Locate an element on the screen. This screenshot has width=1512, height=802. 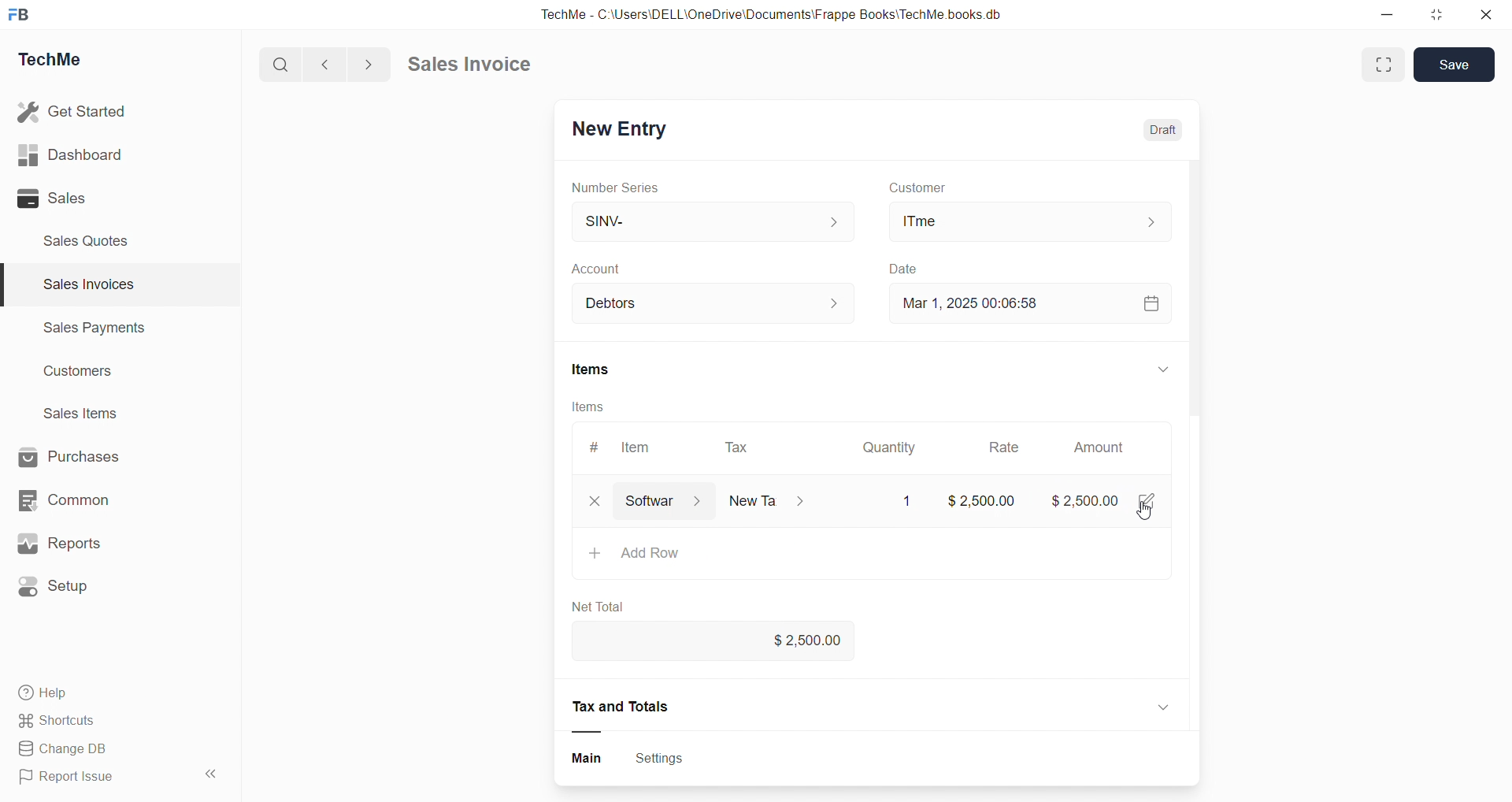
Customers is located at coordinates (87, 375).